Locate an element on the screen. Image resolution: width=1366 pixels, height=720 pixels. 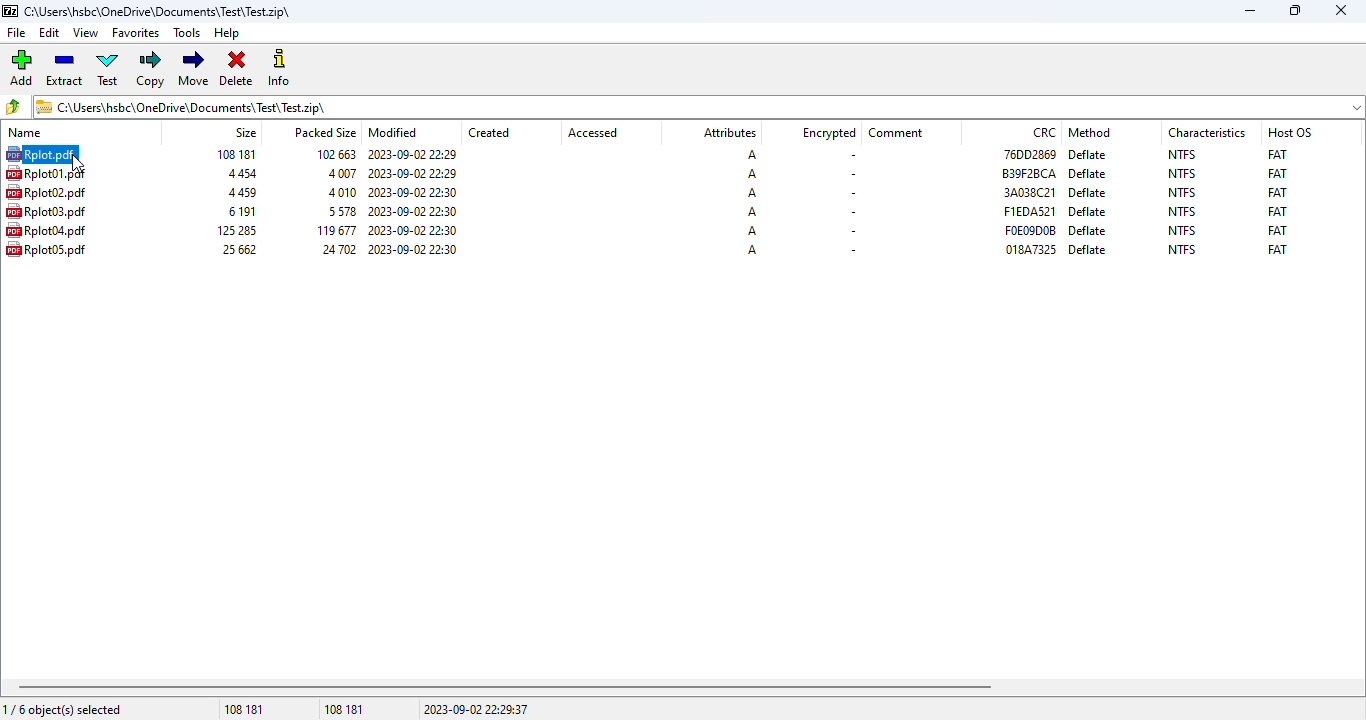
CRC is located at coordinates (1030, 230).